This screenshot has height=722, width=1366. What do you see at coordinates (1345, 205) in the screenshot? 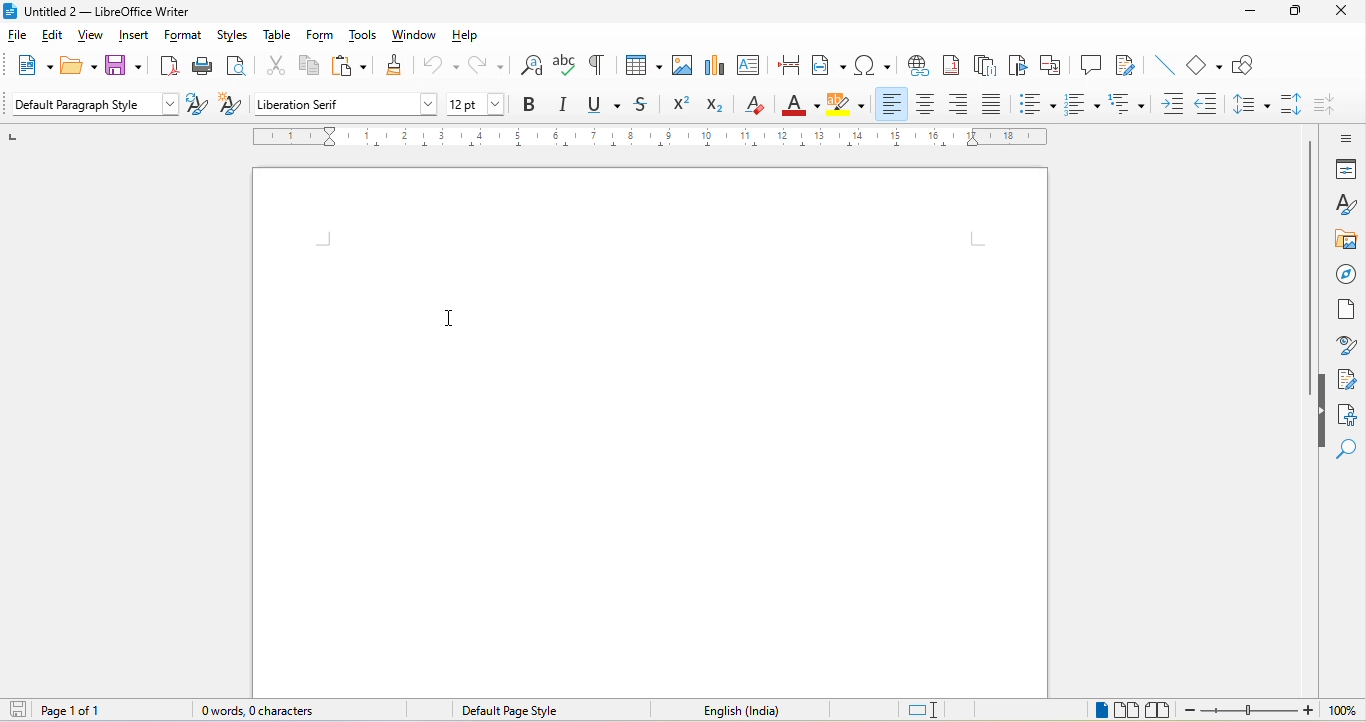
I see `styles` at bounding box center [1345, 205].